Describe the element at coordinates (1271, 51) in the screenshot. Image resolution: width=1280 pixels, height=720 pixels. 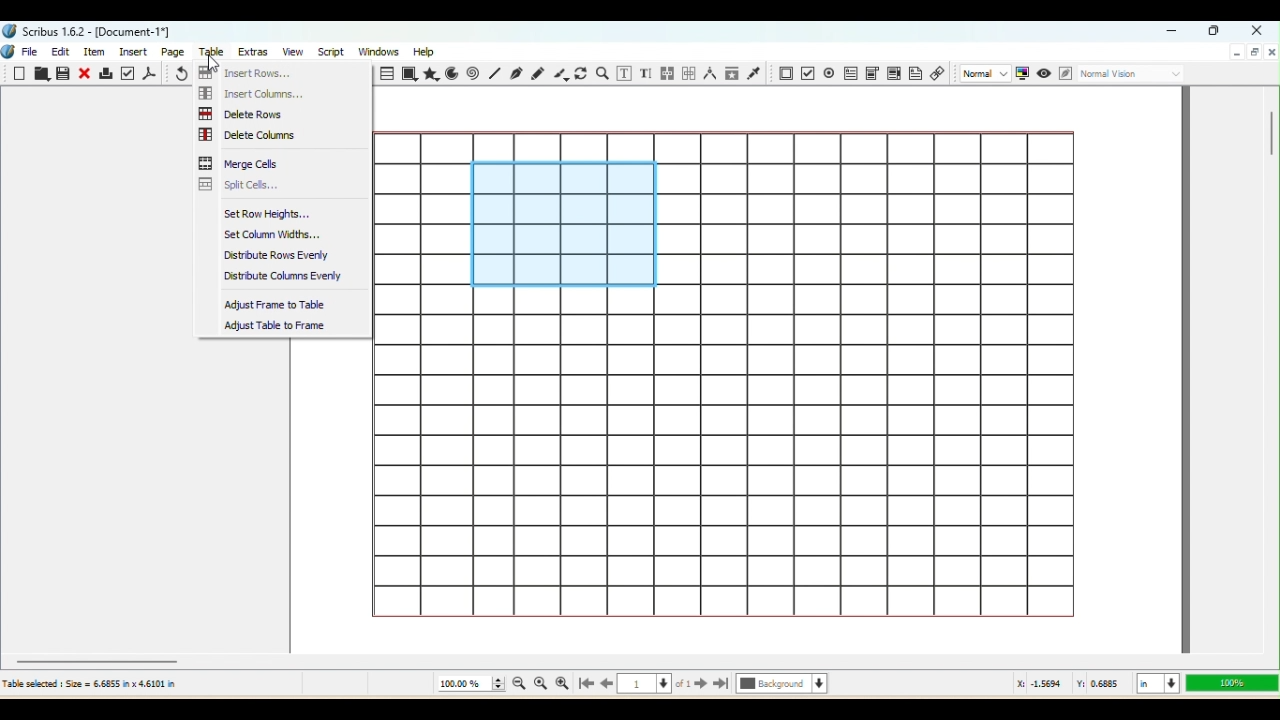
I see `Close document` at that location.